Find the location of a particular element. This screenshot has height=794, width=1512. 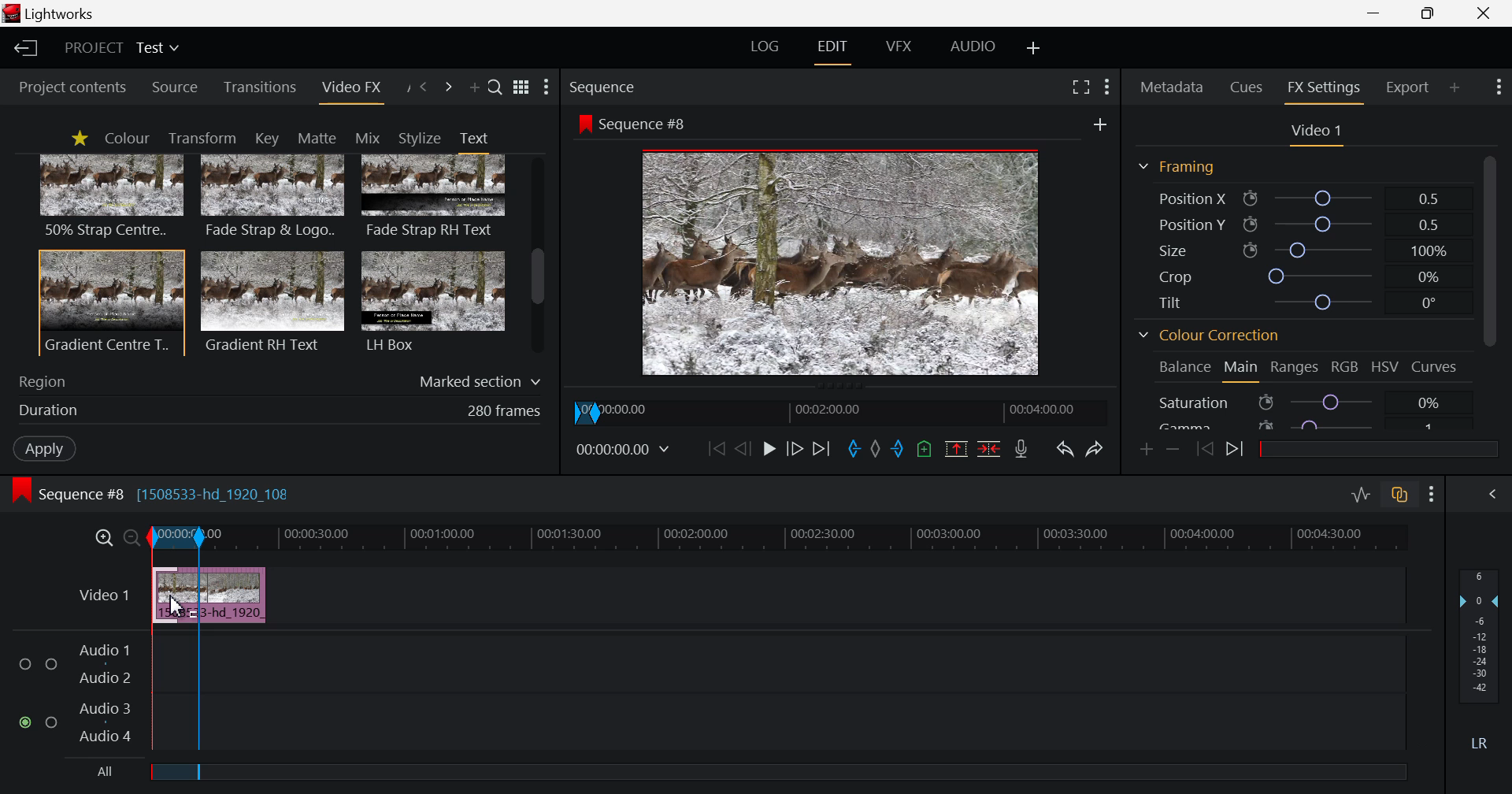

Cues is located at coordinates (1248, 86).